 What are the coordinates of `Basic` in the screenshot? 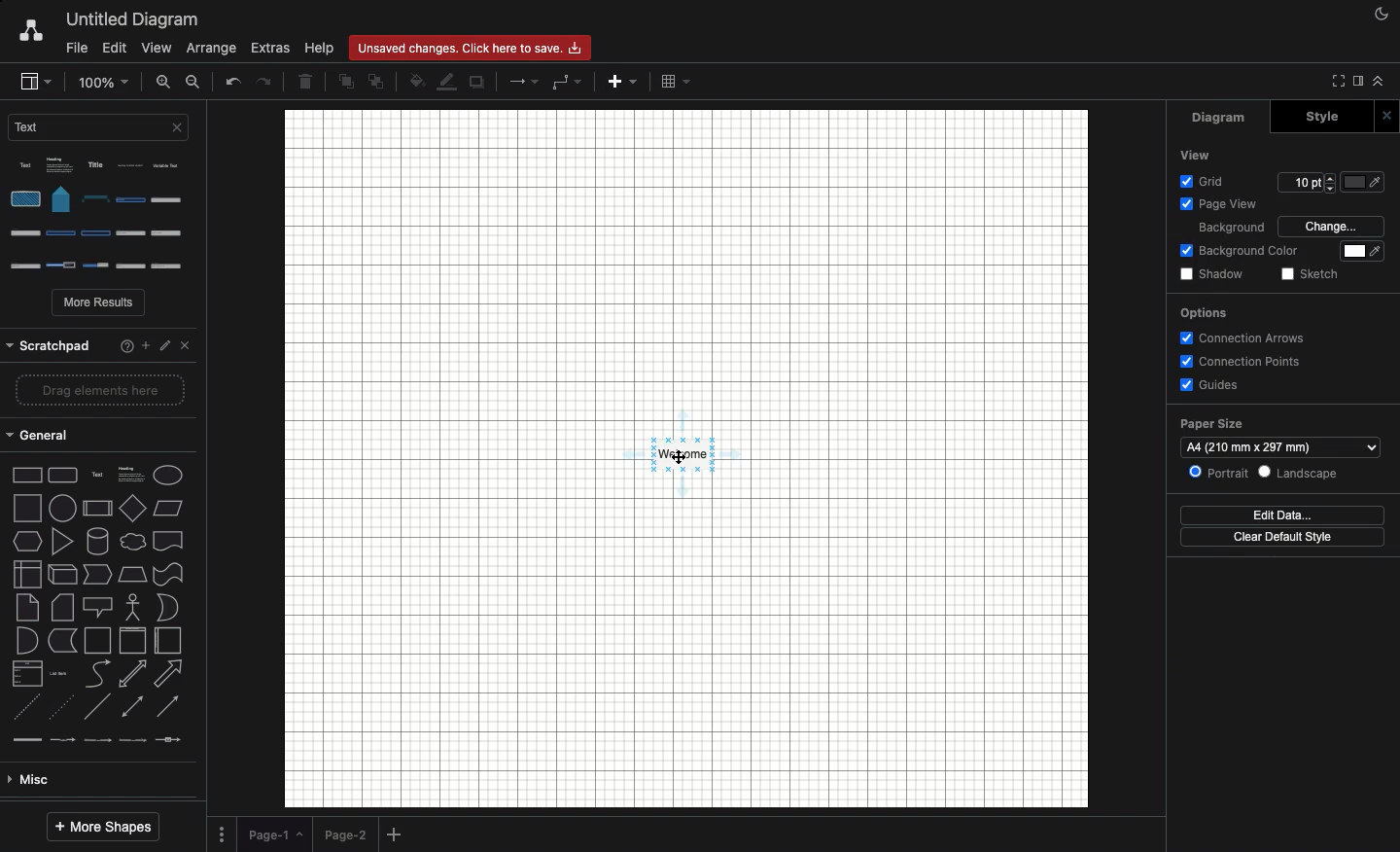 It's located at (98, 673).